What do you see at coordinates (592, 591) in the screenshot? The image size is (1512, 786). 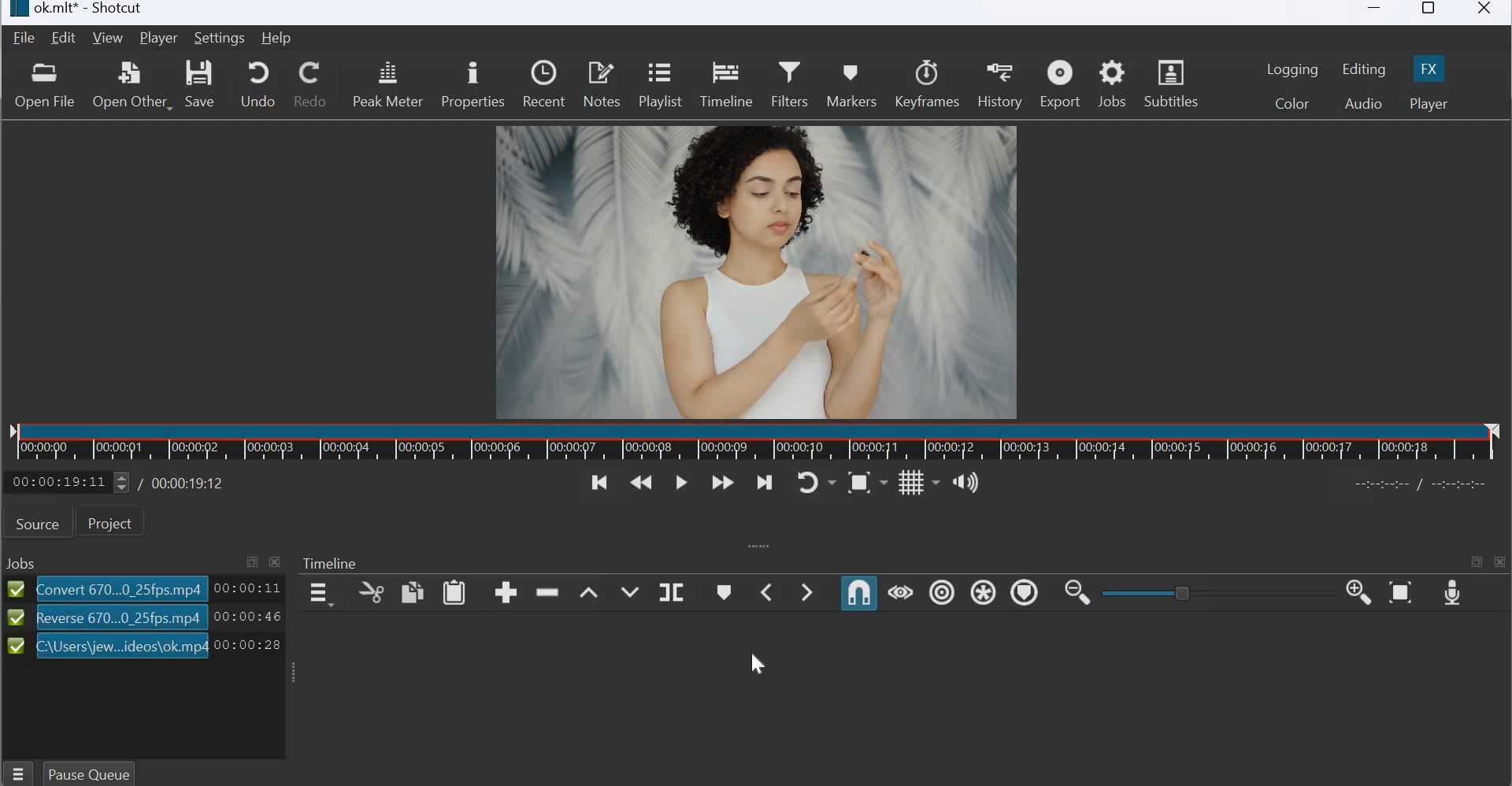 I see `lift` at bounding box center [592, 591].